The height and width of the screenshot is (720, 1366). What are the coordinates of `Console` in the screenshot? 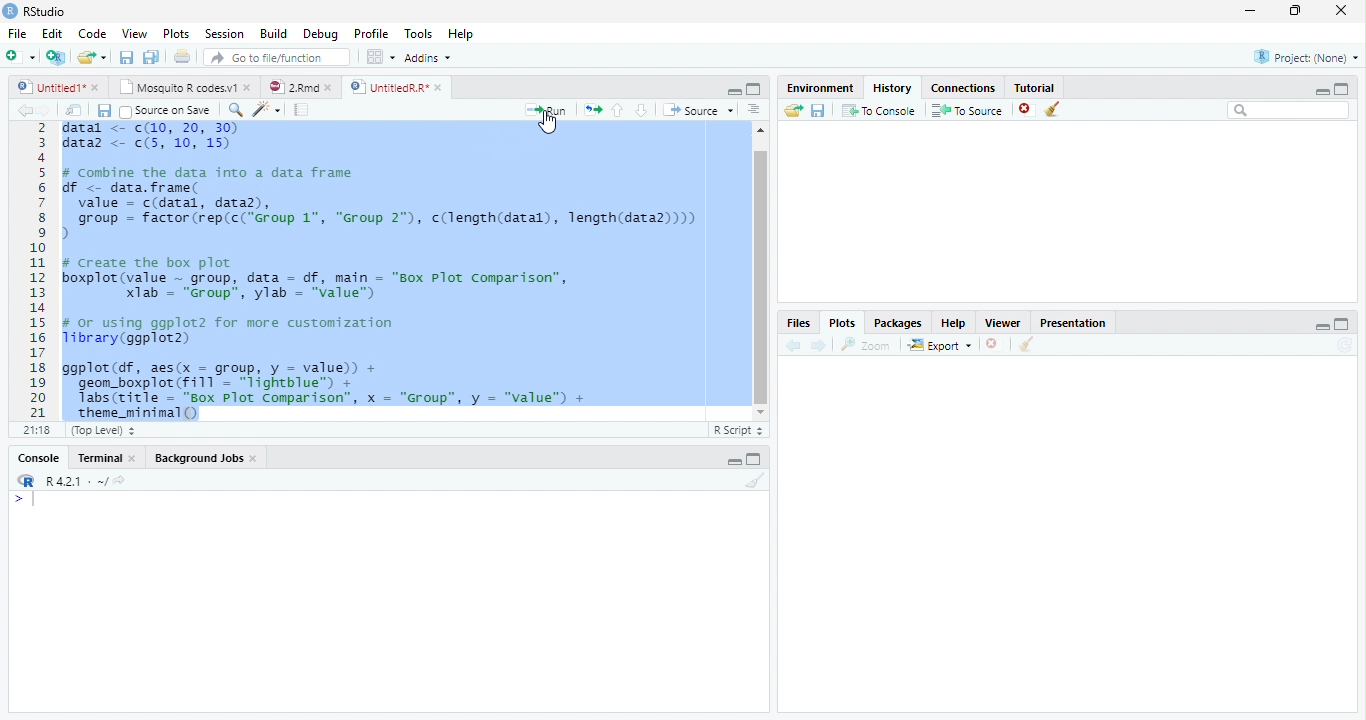 It's located at (38, 458).